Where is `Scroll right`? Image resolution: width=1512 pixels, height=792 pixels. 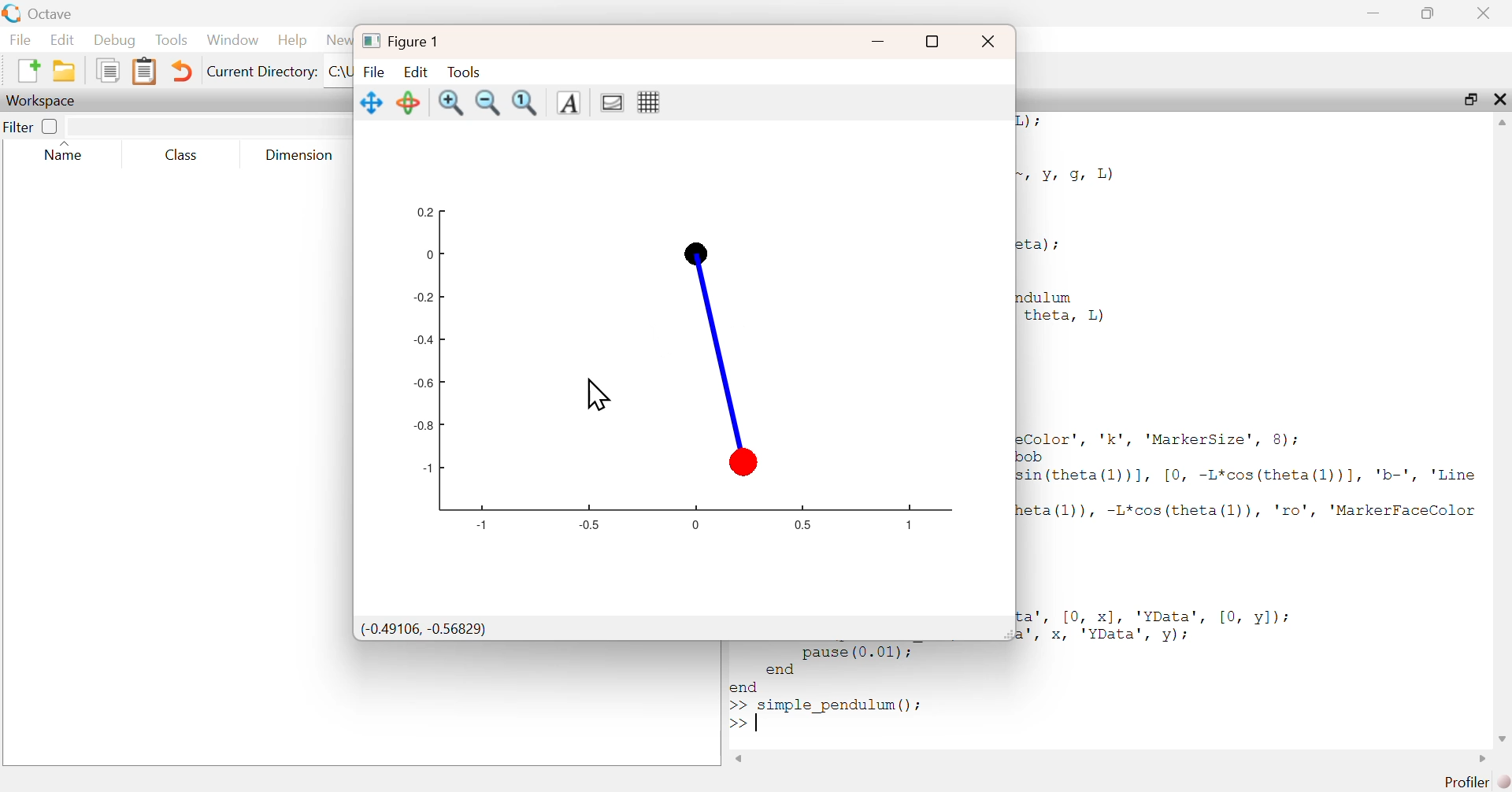 Scroll right is located at coordinates (1478, 761).